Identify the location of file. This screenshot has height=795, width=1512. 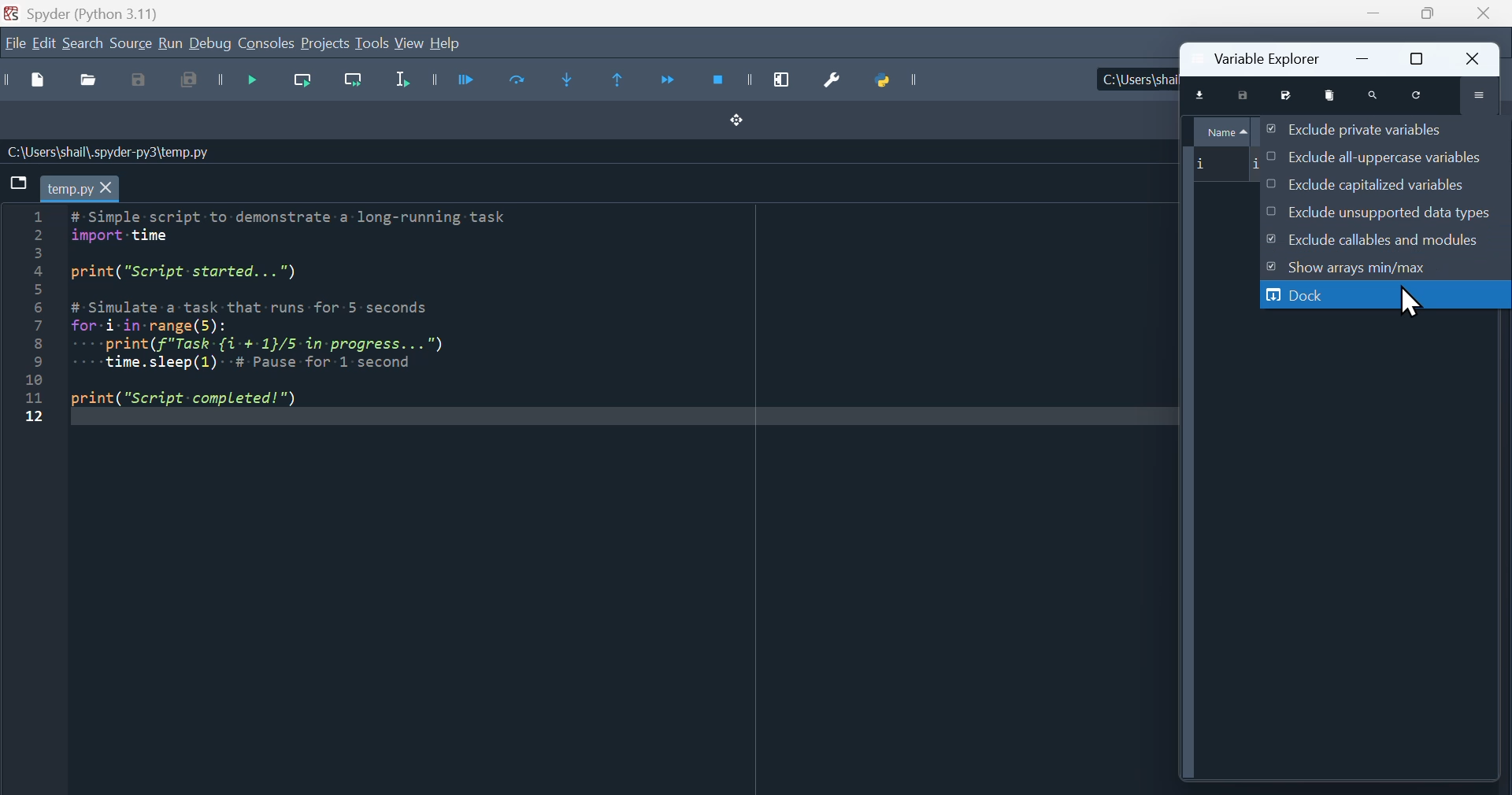
(14, 43).